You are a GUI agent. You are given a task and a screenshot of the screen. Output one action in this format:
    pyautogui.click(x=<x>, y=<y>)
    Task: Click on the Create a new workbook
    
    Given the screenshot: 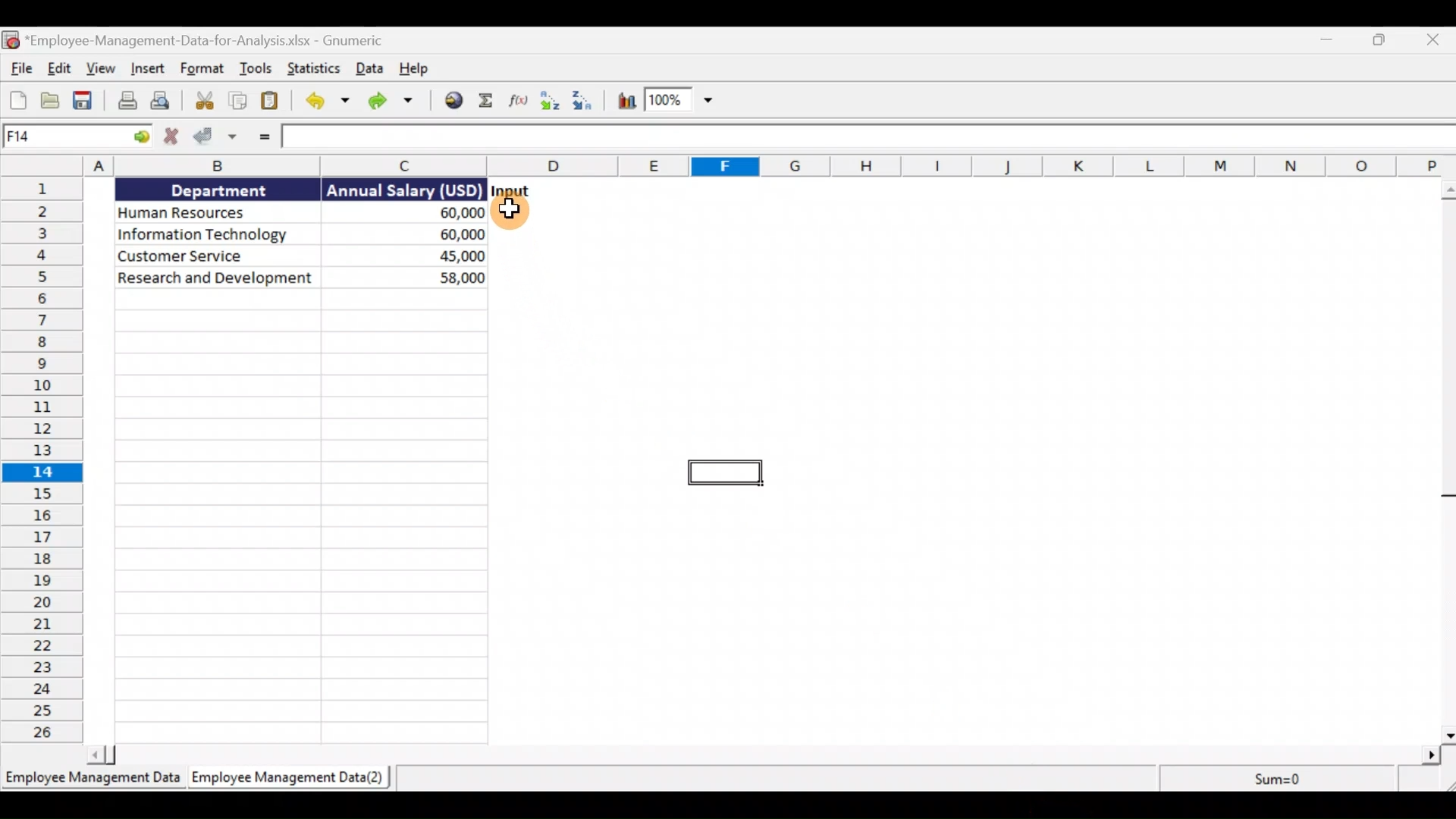 What is the action you would take?
    pyautogui.click(x=14, y=99)
    